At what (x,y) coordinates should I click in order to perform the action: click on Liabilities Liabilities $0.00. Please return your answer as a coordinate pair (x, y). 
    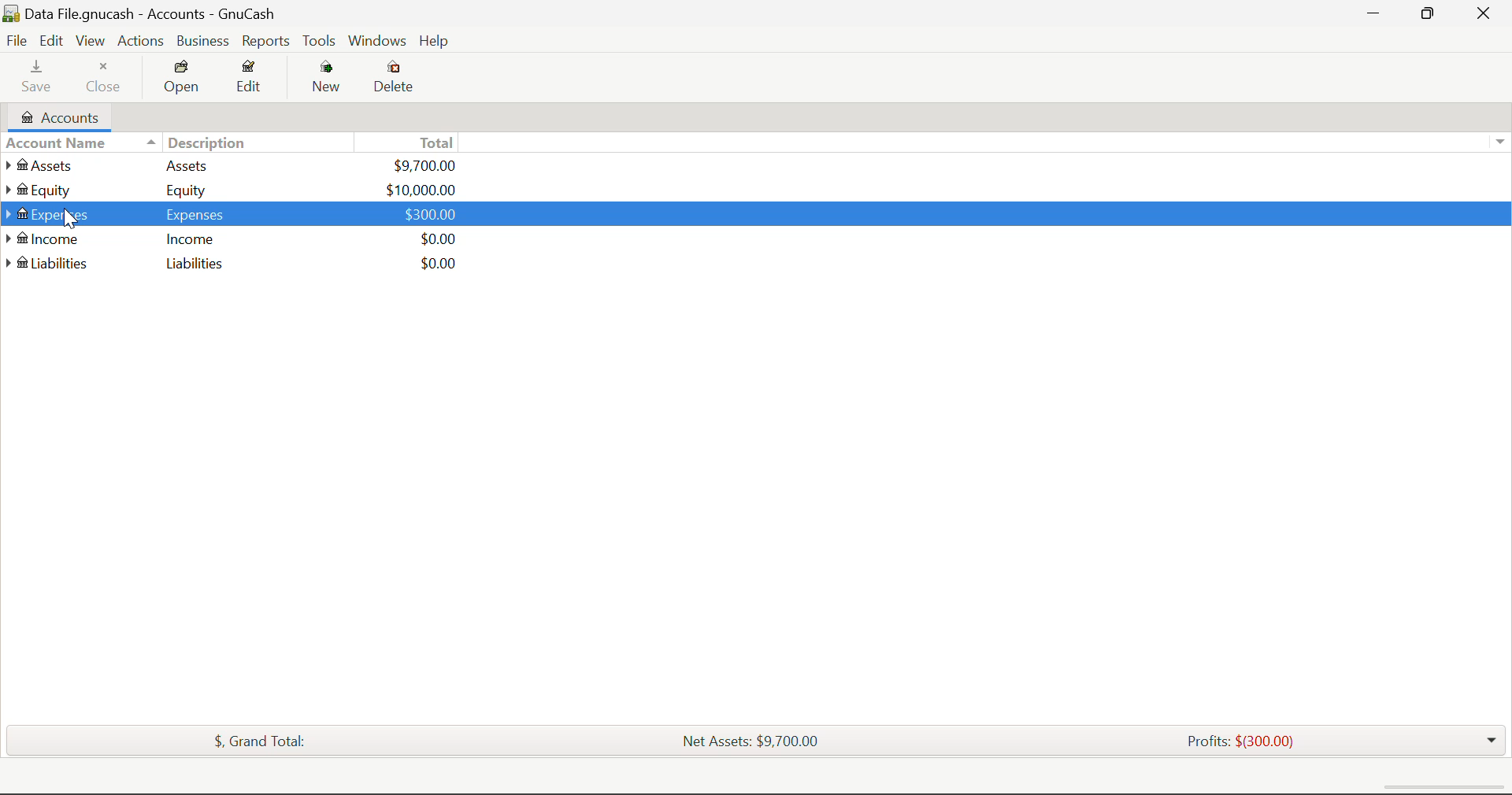
    Looking at the image, I should click on (232, 264).